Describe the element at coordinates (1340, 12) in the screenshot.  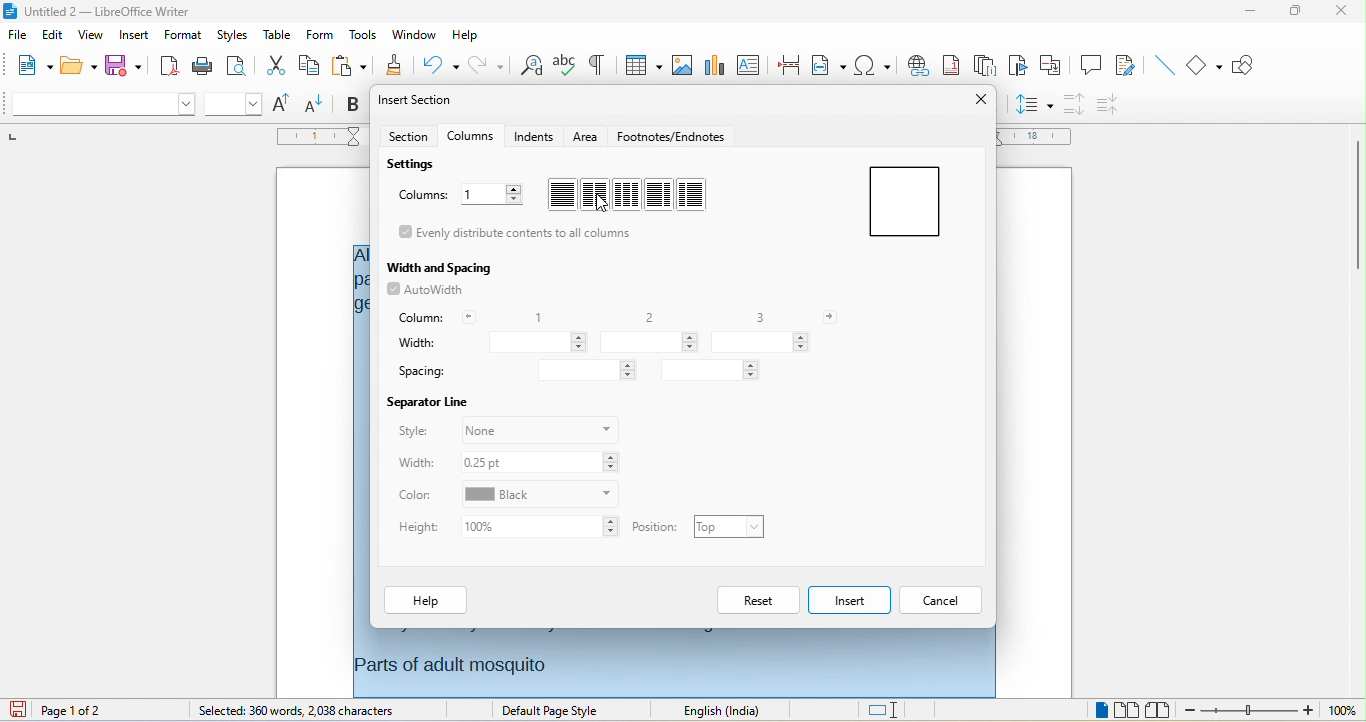
I see `close` at that location.